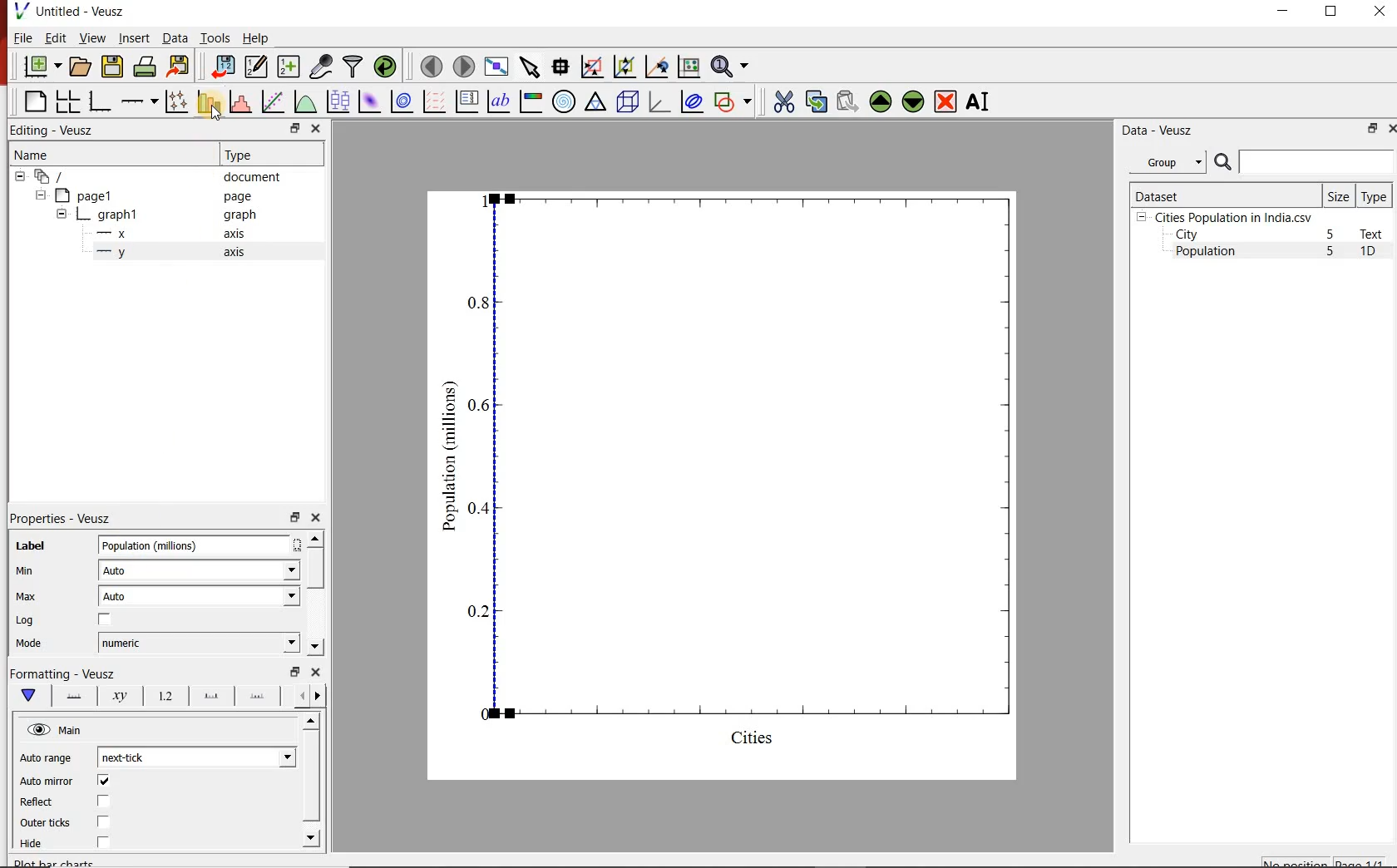  Describe the element at coordinates (590, 66) in the screenshot. I see `click or draw a rectangle to zoom graph indexes` at that location.